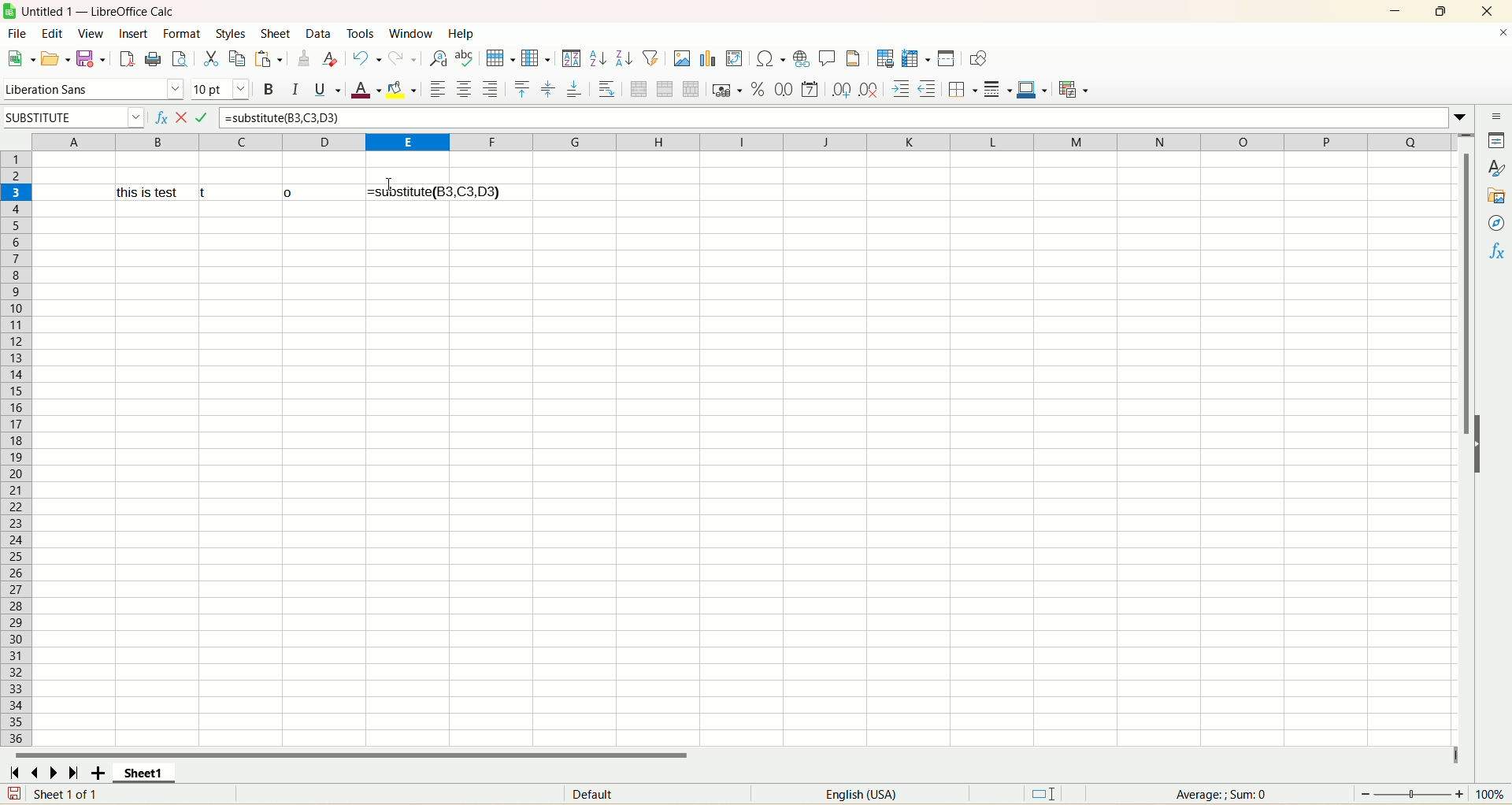 The image size is (1512, 805). What do you see at coordinates (979, 58) in the screenshot?
I see `draw function` at bounding box center [979, 58].